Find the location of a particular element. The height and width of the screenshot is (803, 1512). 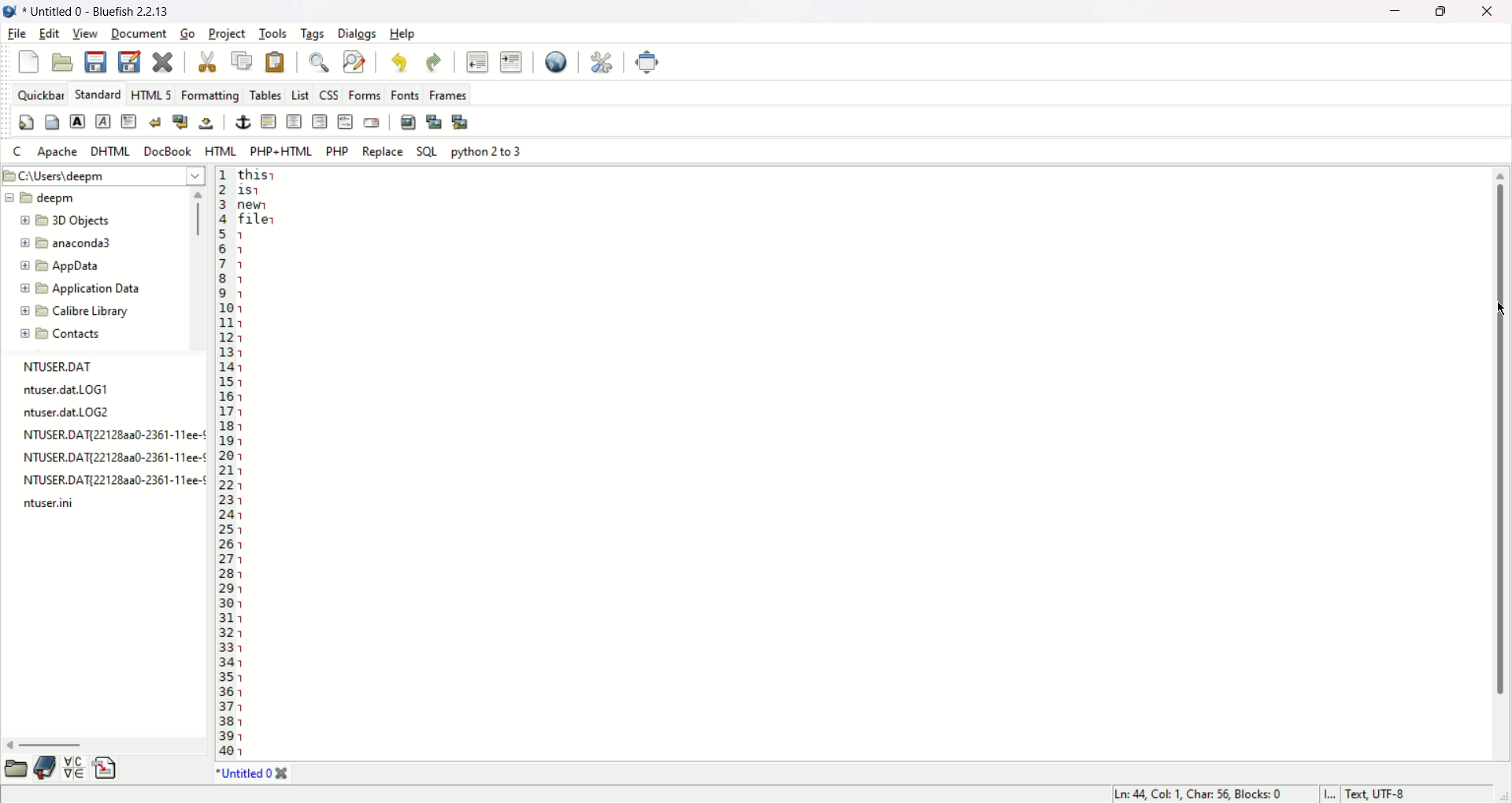

copy is located at coordinates (244, 61).